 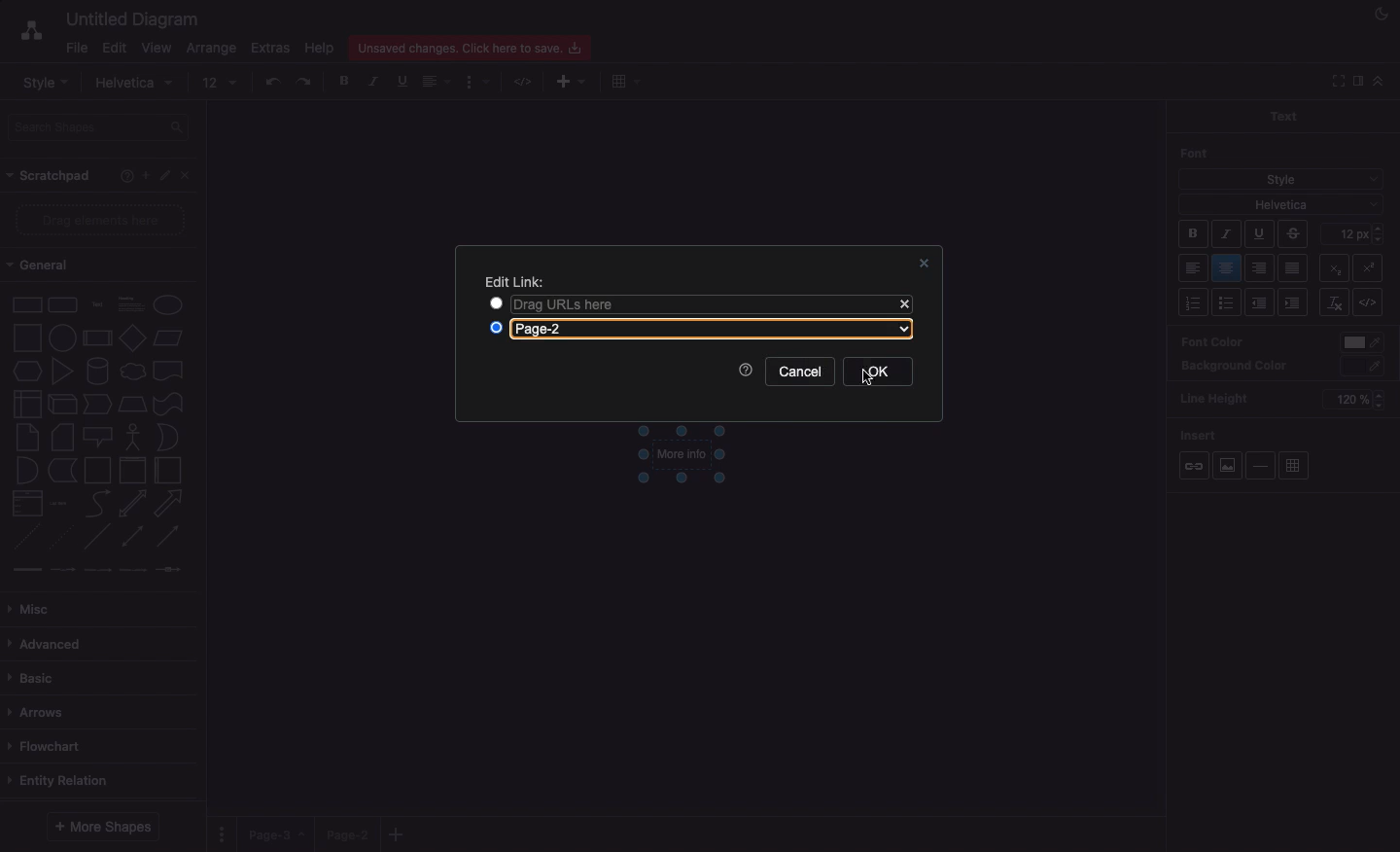 I want to click on link, so click(x=26, y=569).